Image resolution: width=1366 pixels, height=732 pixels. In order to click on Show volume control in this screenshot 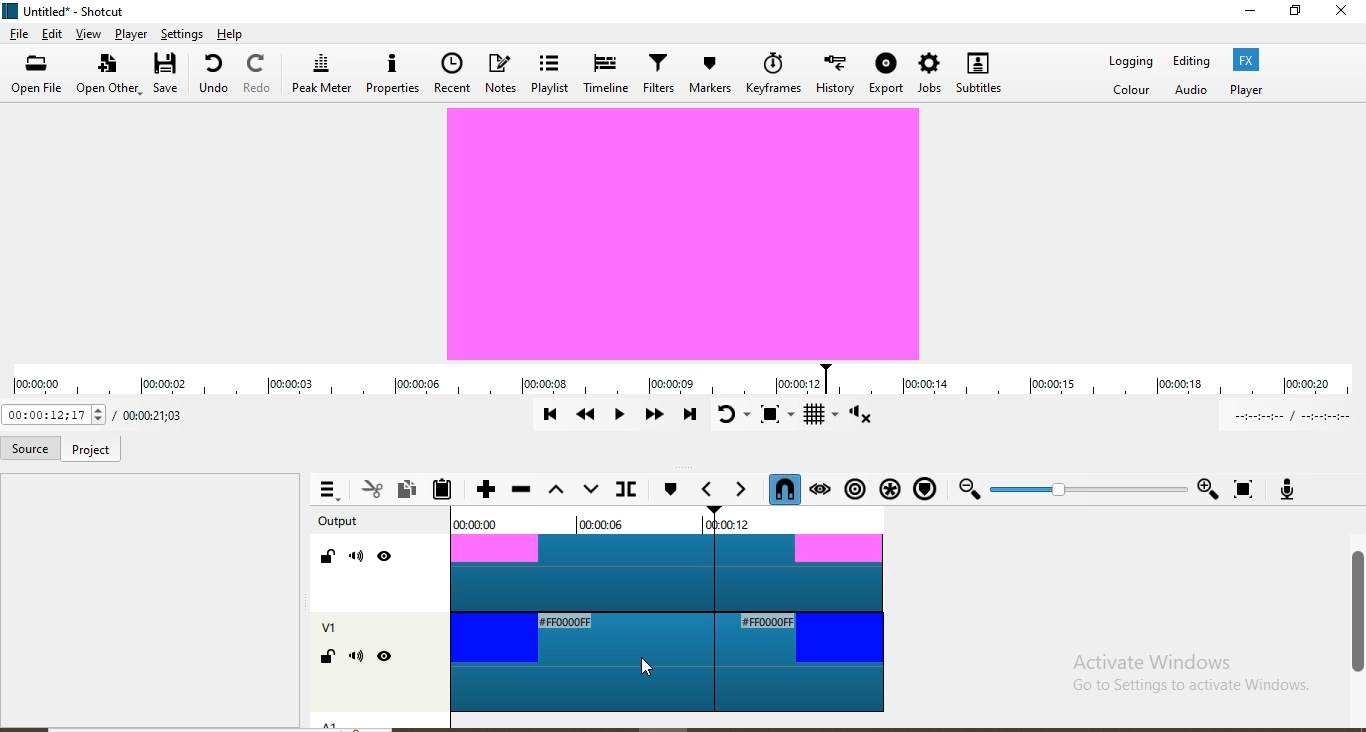, I will do `click(875, 416)`.